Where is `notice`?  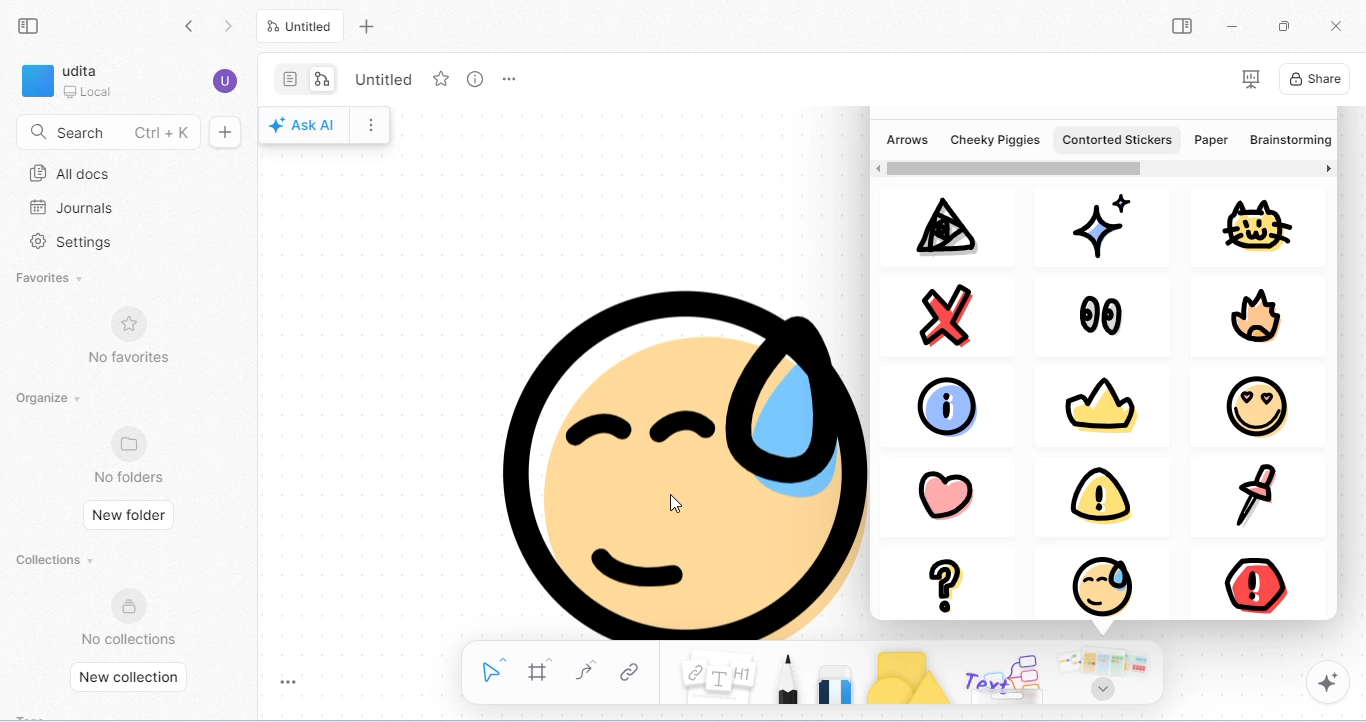
notice is located at coordinates (1110, 576).